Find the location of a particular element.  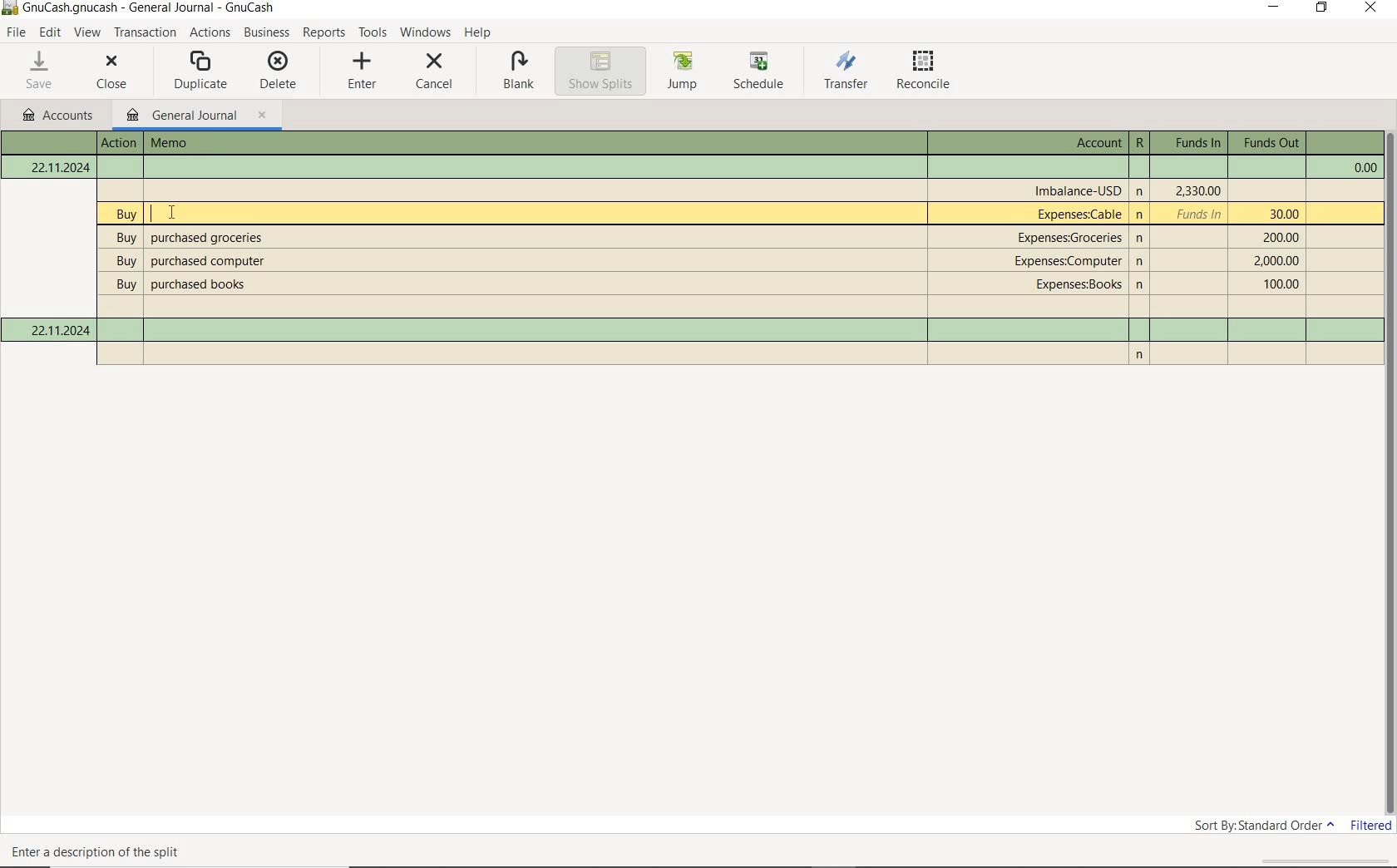

Text is located at coordinates (700, 259).